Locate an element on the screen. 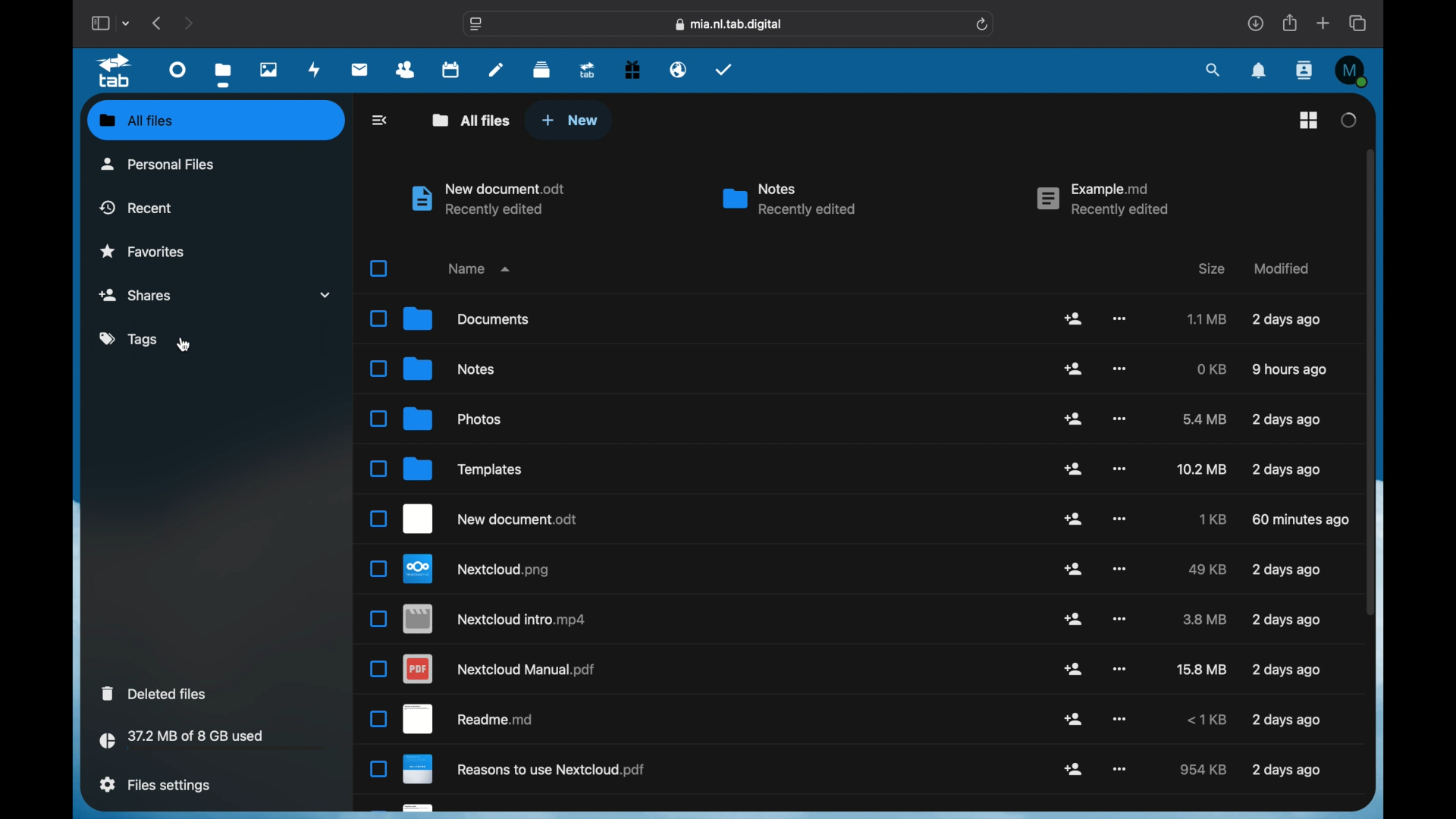 This screenshot has width=1456, height=819. deleted files is located at coordinates (155, 692).